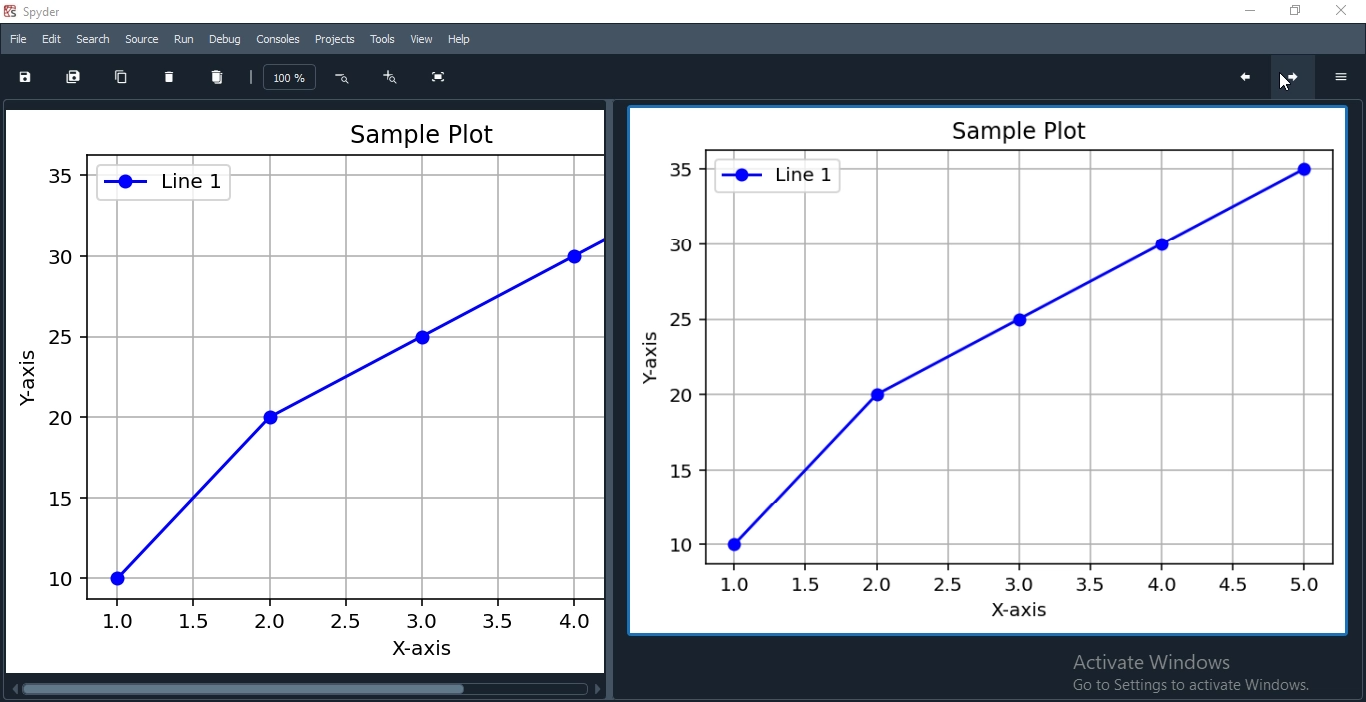  Describe the element at coordinates (17, 38) in the screenshot. I see `File ` at that location.